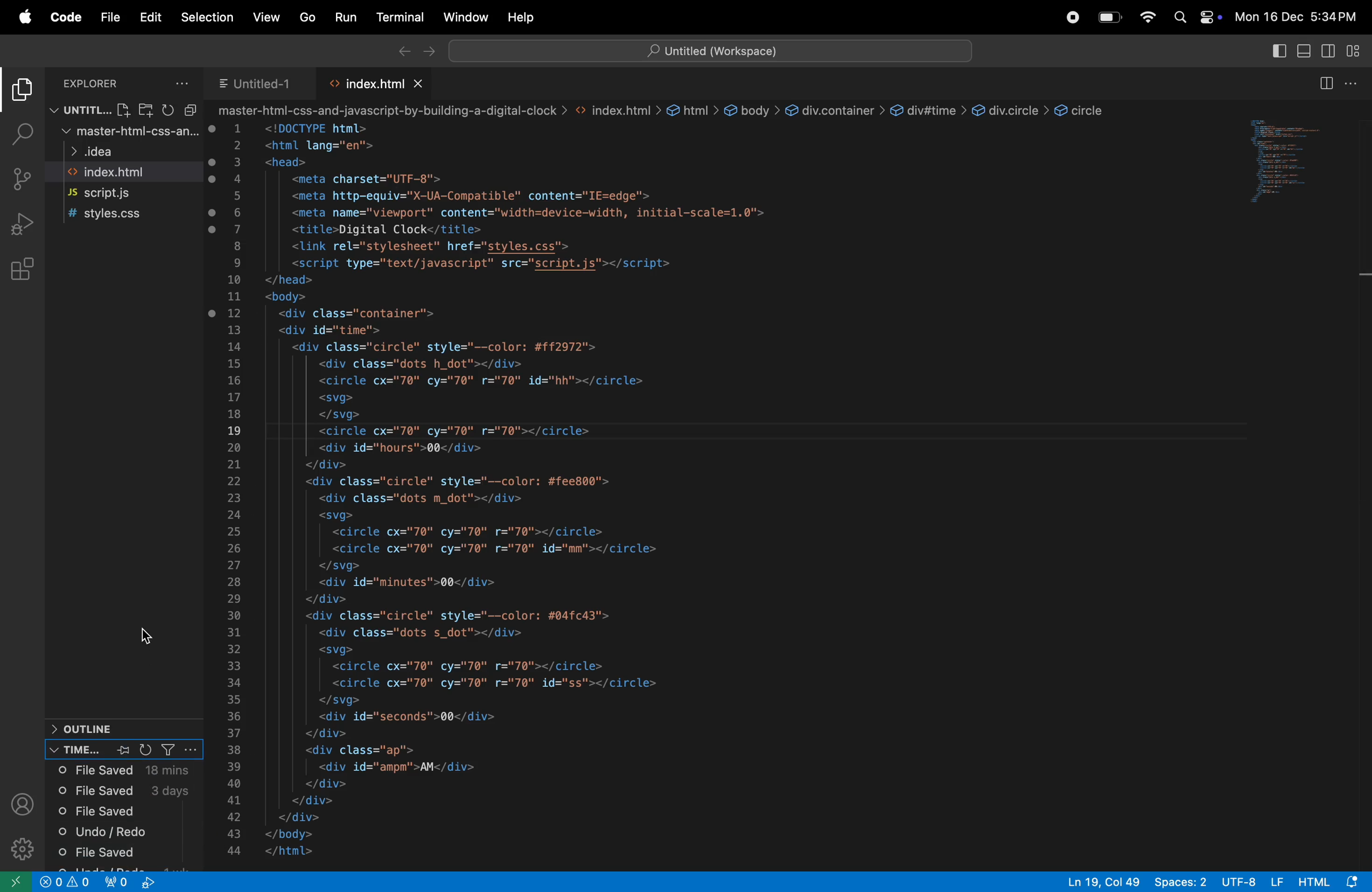 This screenshot has width=1372, height=892. Describe the element at coordinates (1354, 52) in the screenshot. I see `customize tool bar` at that location.